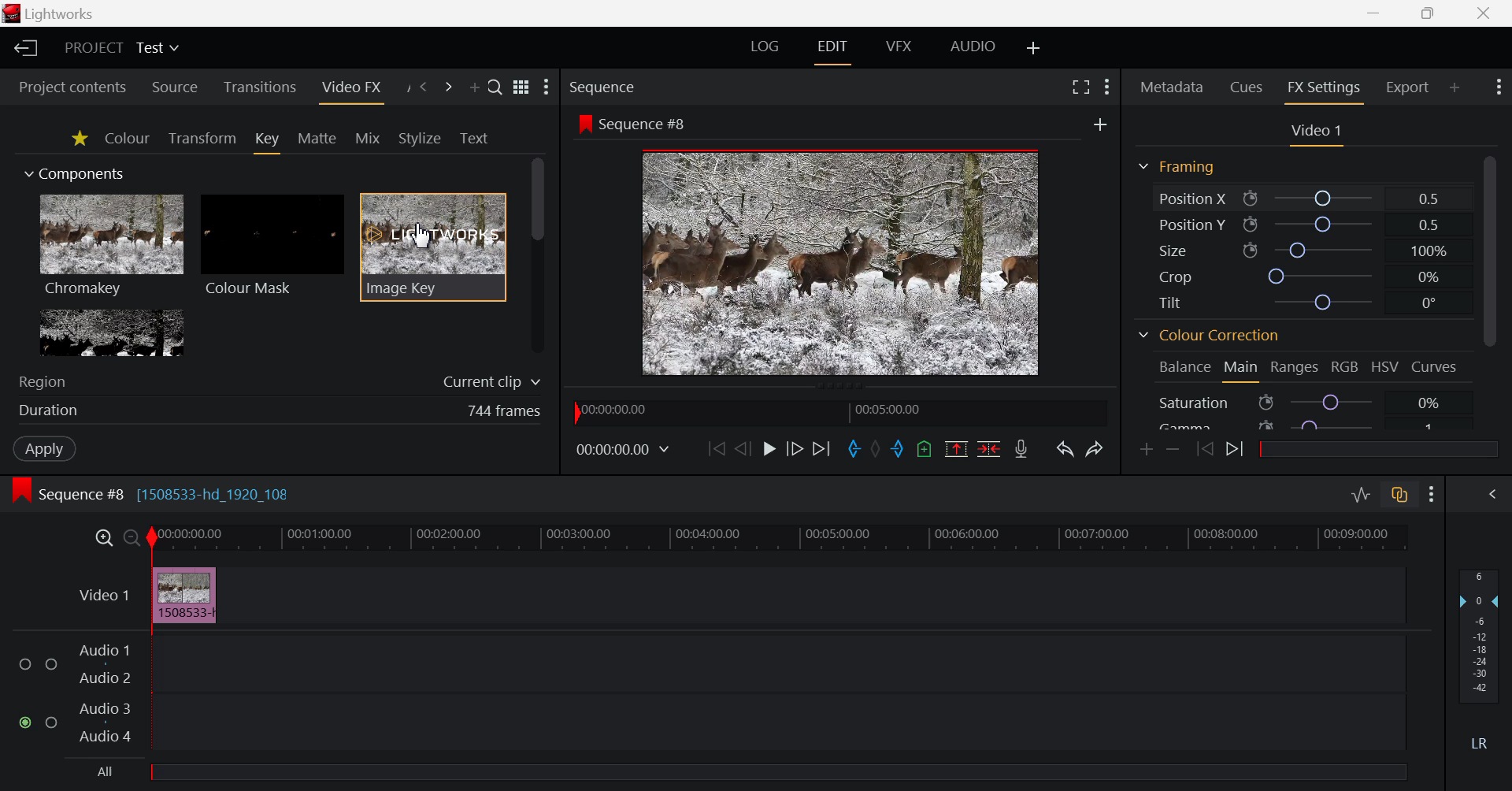 The height and width of the screenshot is (791, 1512). I want to click on Current clip , so click(491, 382).